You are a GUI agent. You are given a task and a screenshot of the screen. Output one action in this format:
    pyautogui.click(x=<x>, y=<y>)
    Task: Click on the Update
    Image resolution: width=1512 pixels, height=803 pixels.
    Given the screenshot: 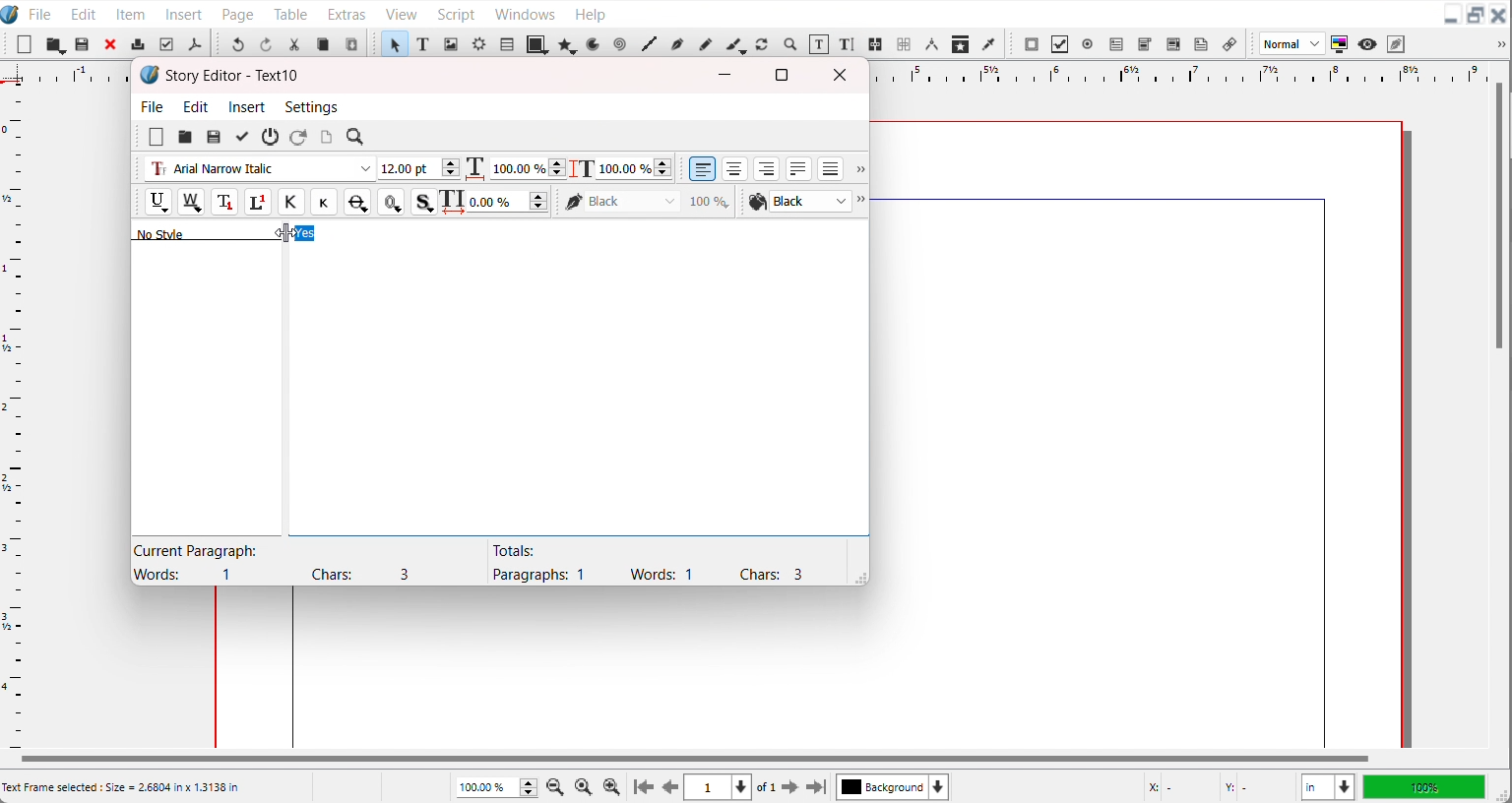 What is the action you would take?
    pyautogui.click(x=241, y=137)
    